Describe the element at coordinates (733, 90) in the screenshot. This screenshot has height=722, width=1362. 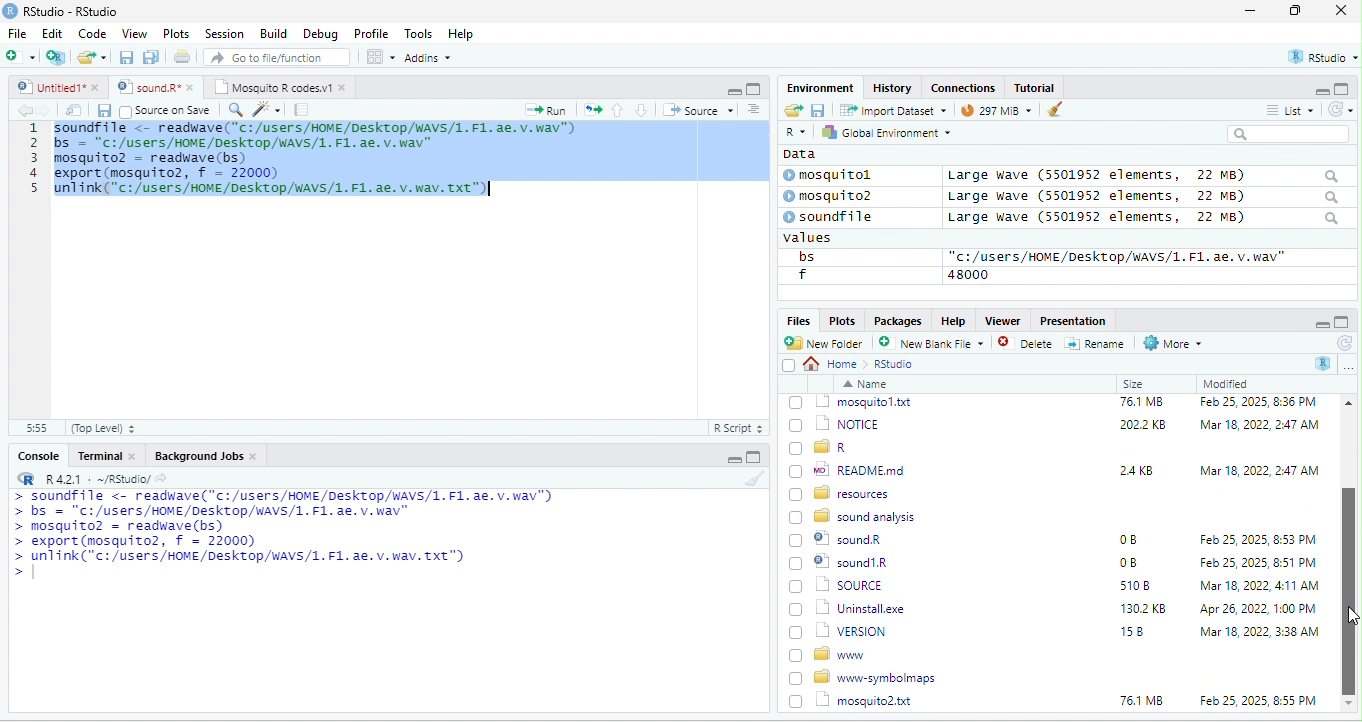
I see `minimize` at that location.